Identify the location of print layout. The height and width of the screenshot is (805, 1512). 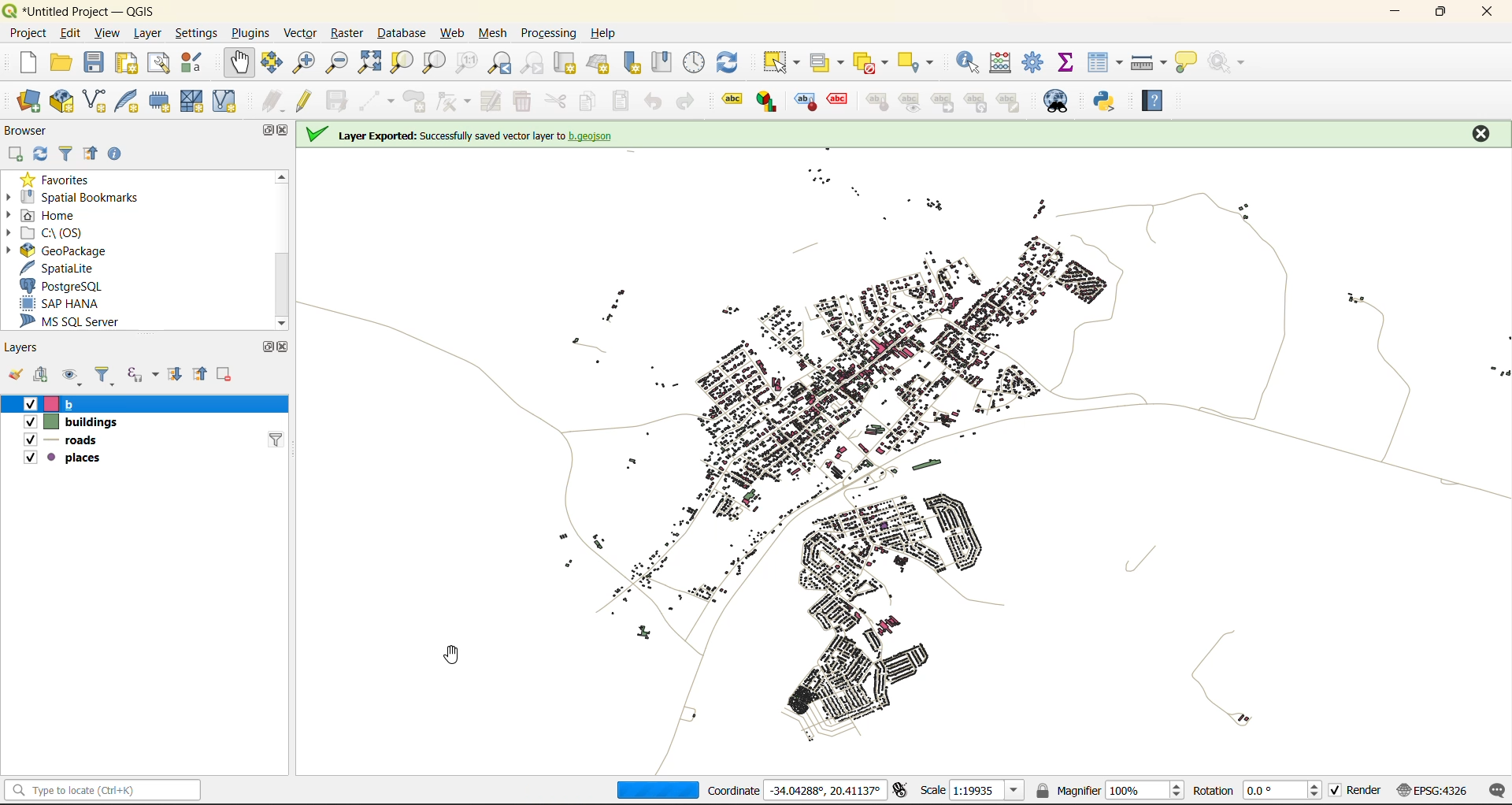
(128, 64).